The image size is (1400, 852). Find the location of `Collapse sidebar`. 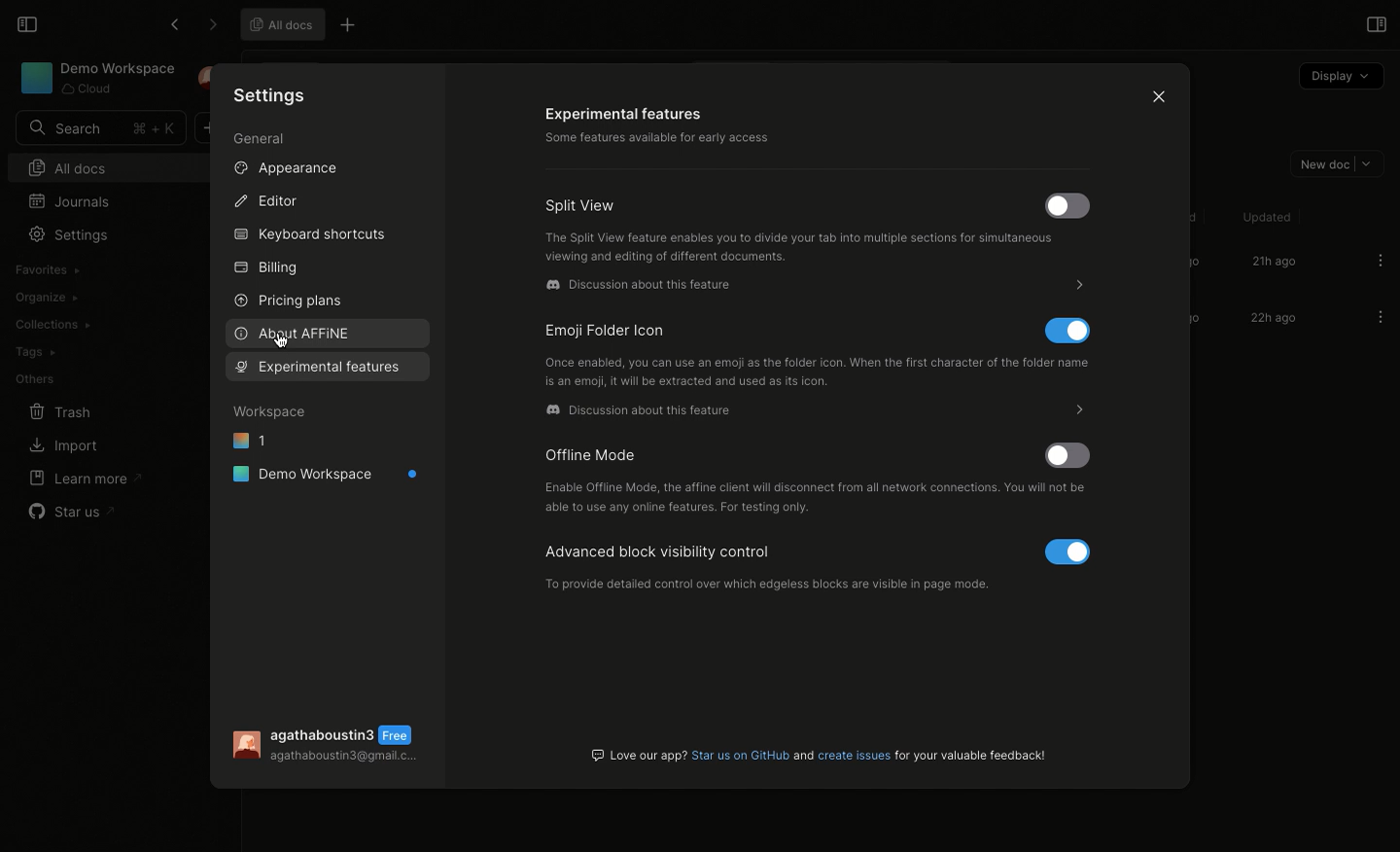

Collapse sidebar is located at coordinates (25, 22).